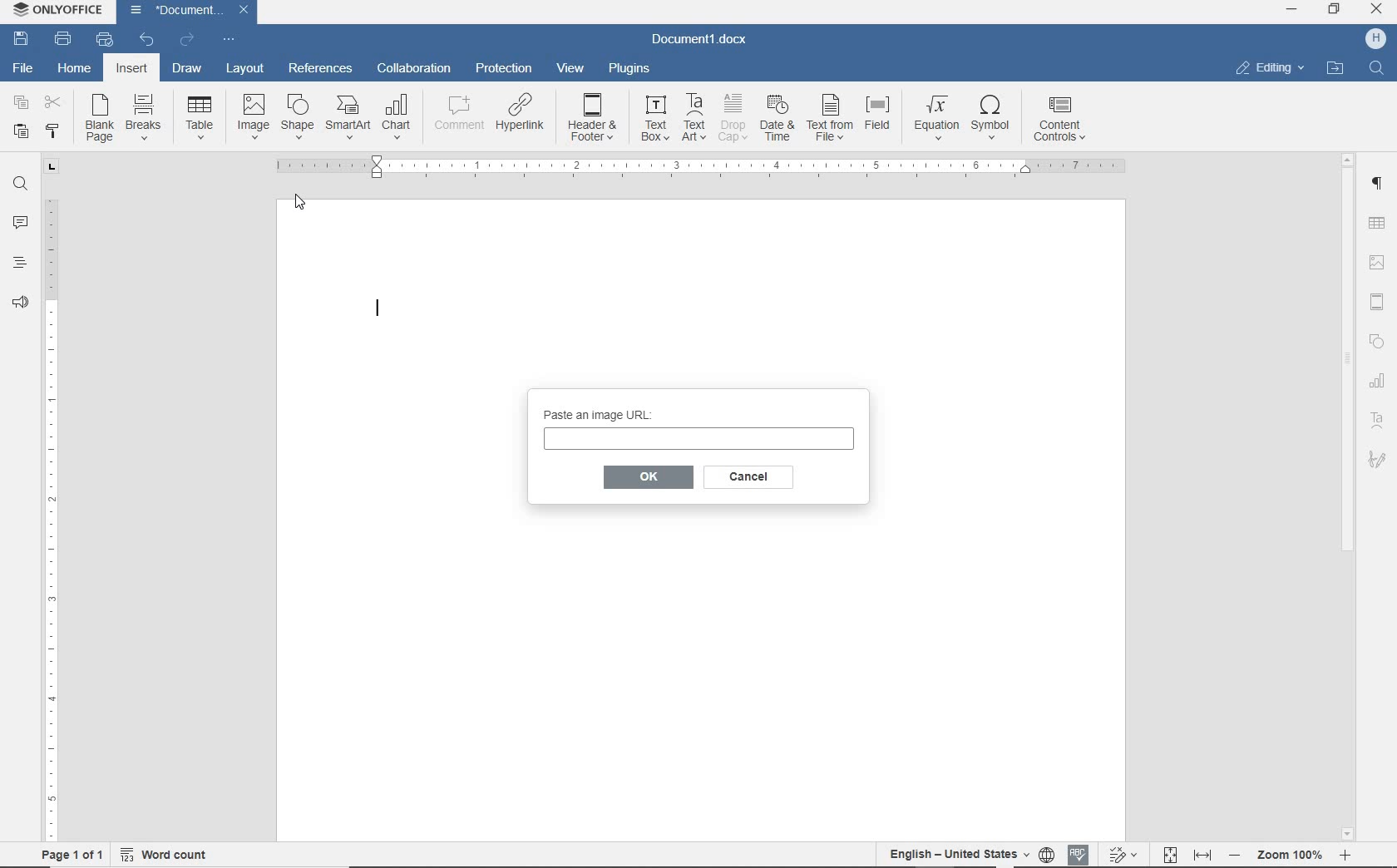 The image size is (1397, 868). I want to click on fit to width, so click(1202, 856).